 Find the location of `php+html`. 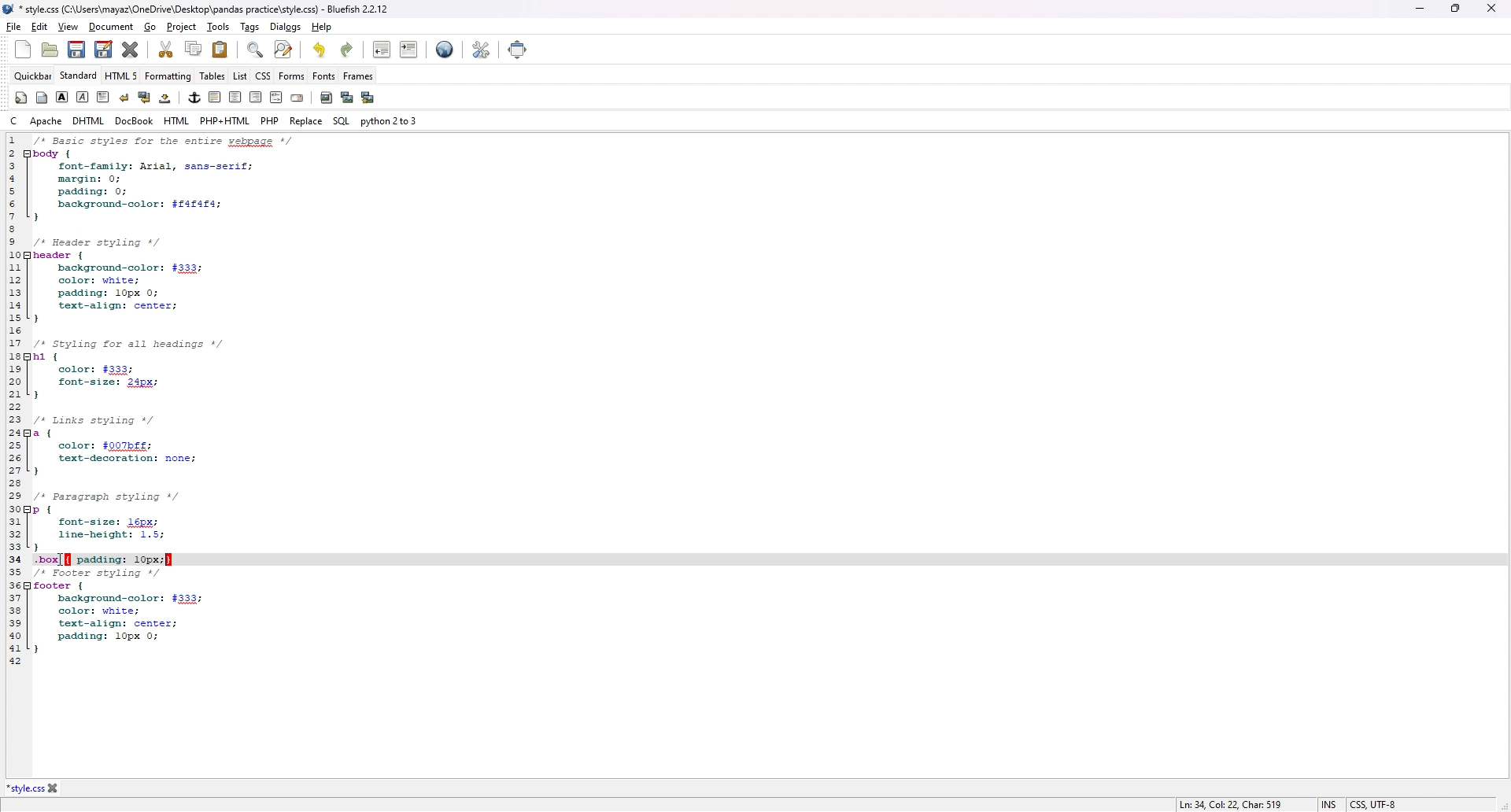

php+html is located at coordinates (227, 120).